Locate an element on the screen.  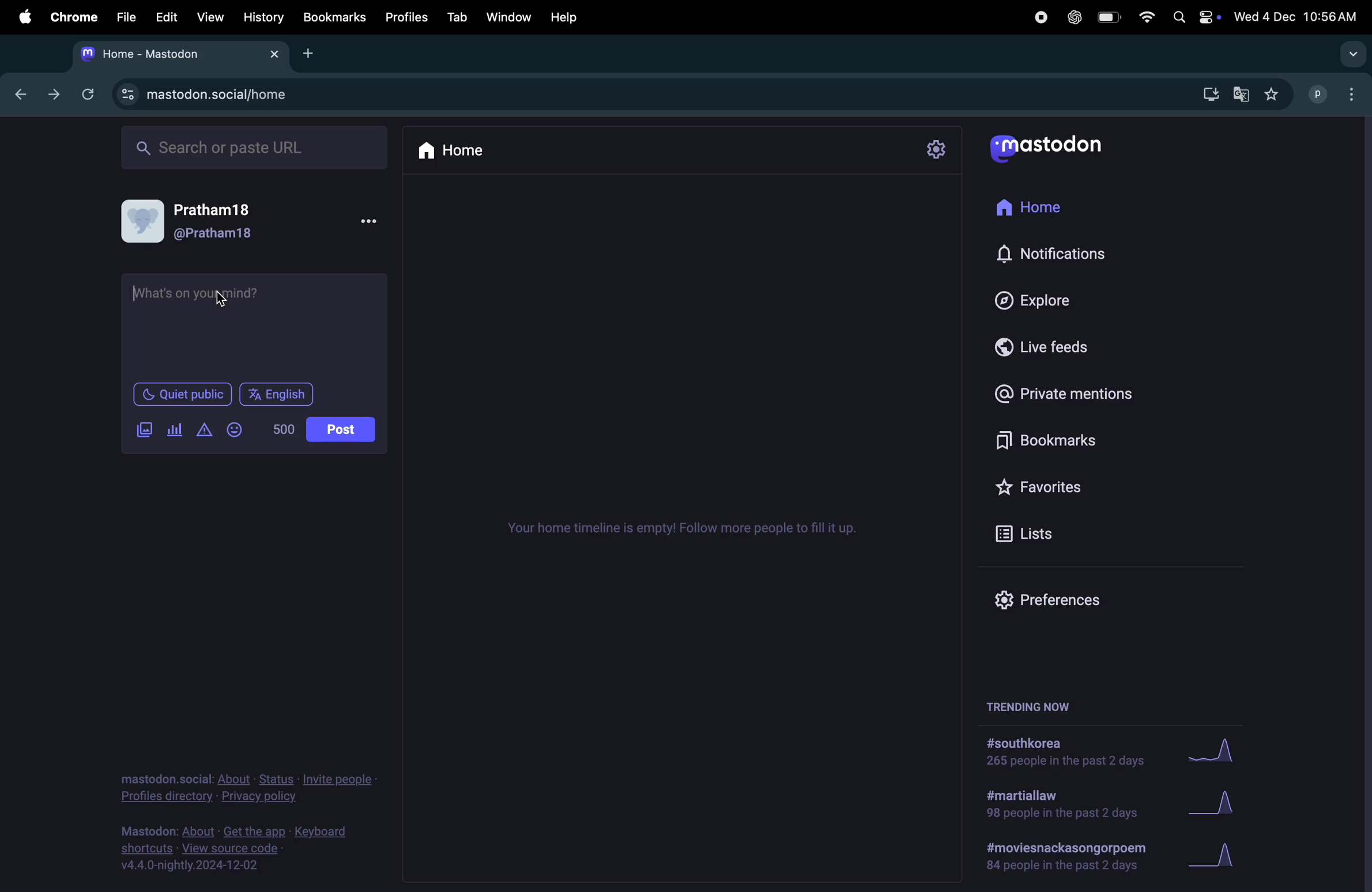
Chatgpt is located at coordinates (1072, 17).